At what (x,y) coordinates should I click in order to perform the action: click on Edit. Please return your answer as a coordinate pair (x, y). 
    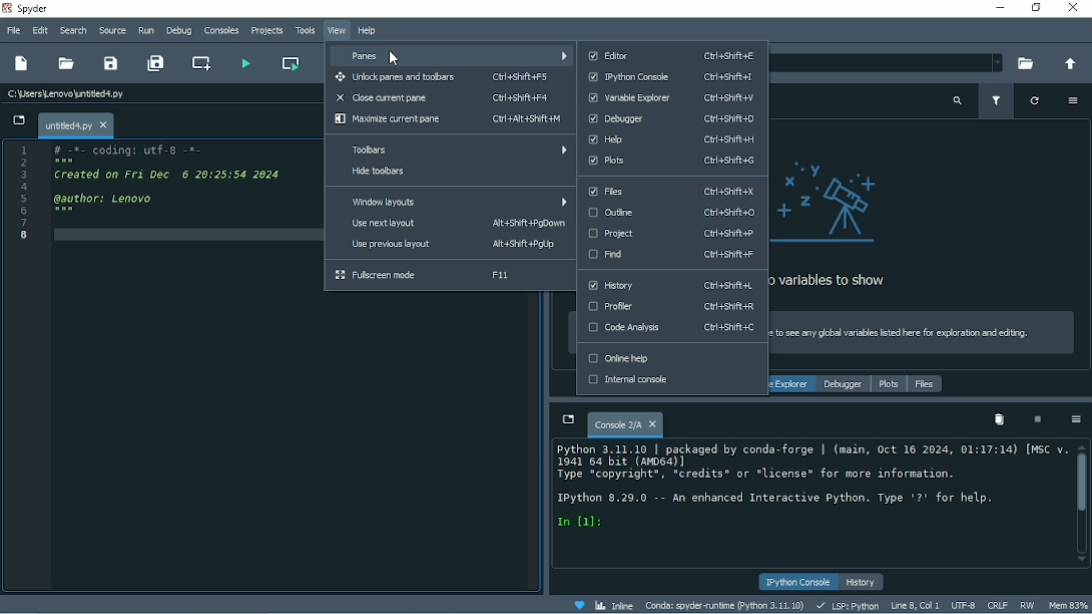
    Looking at the image, I should click on (40, 31).